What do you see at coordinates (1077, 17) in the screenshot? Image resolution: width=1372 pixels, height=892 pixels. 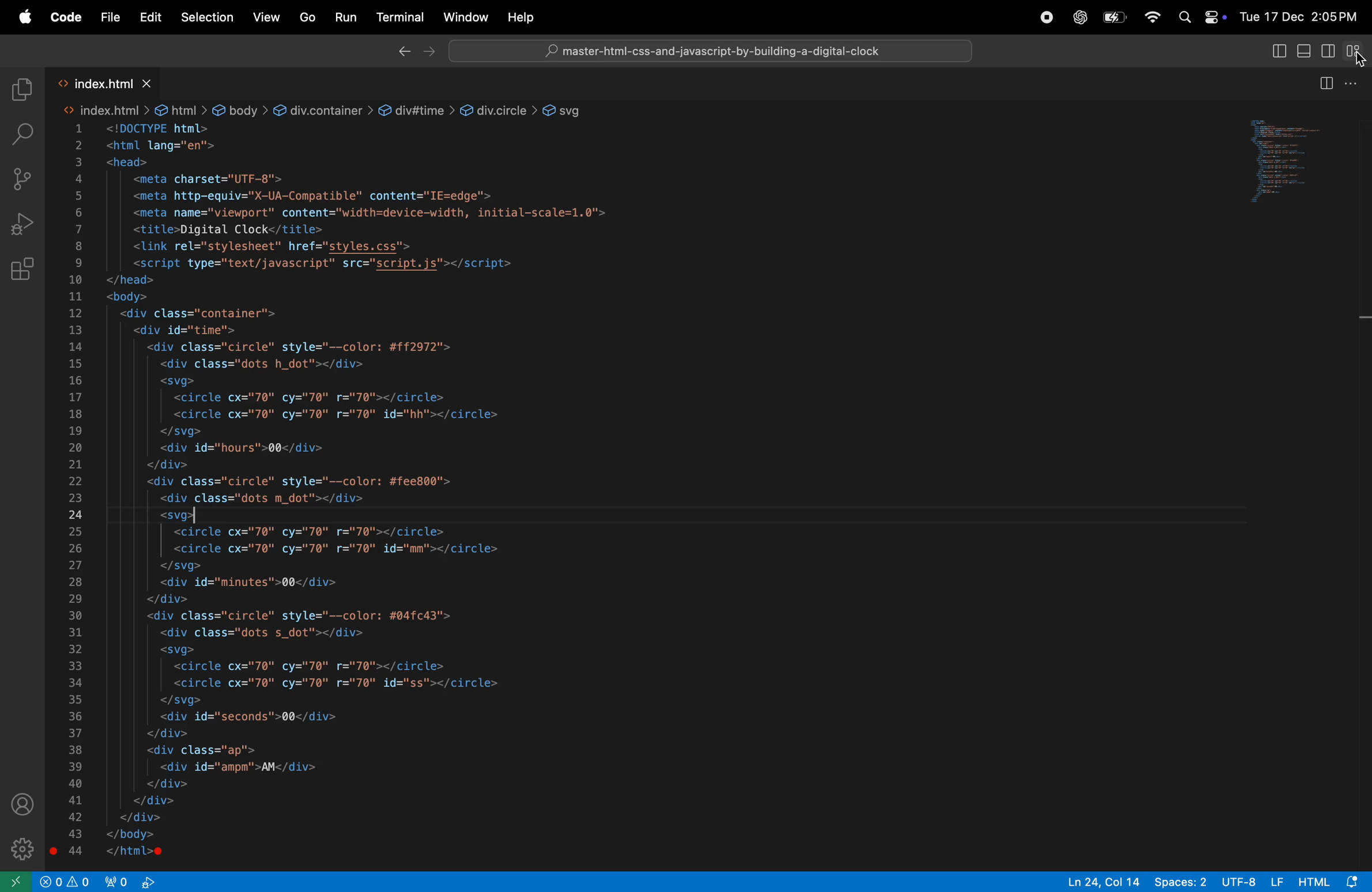 I see `chatgpt` at bounding box center [1077, 17].